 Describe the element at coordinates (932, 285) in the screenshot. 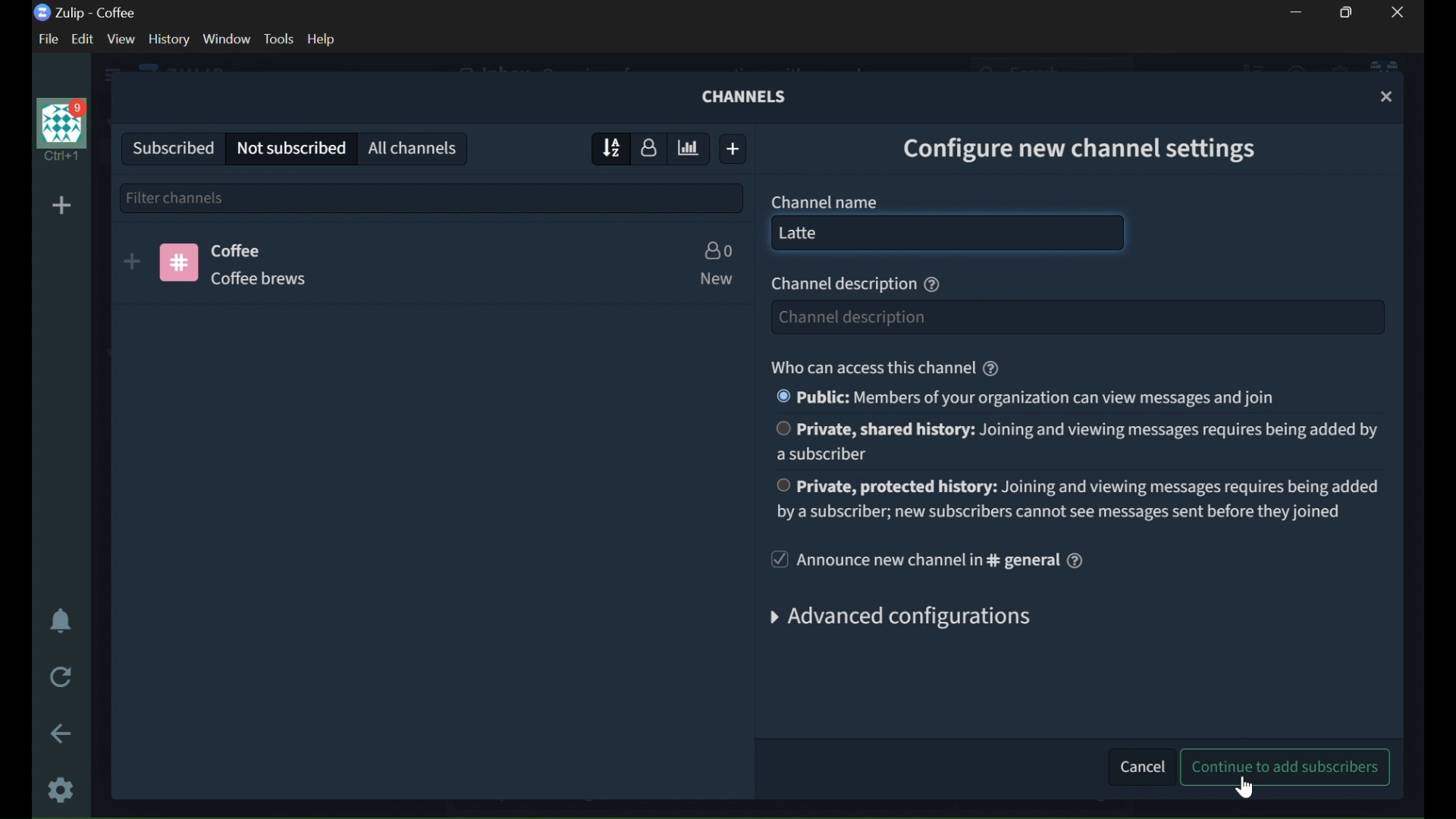

I see `help` at that location.